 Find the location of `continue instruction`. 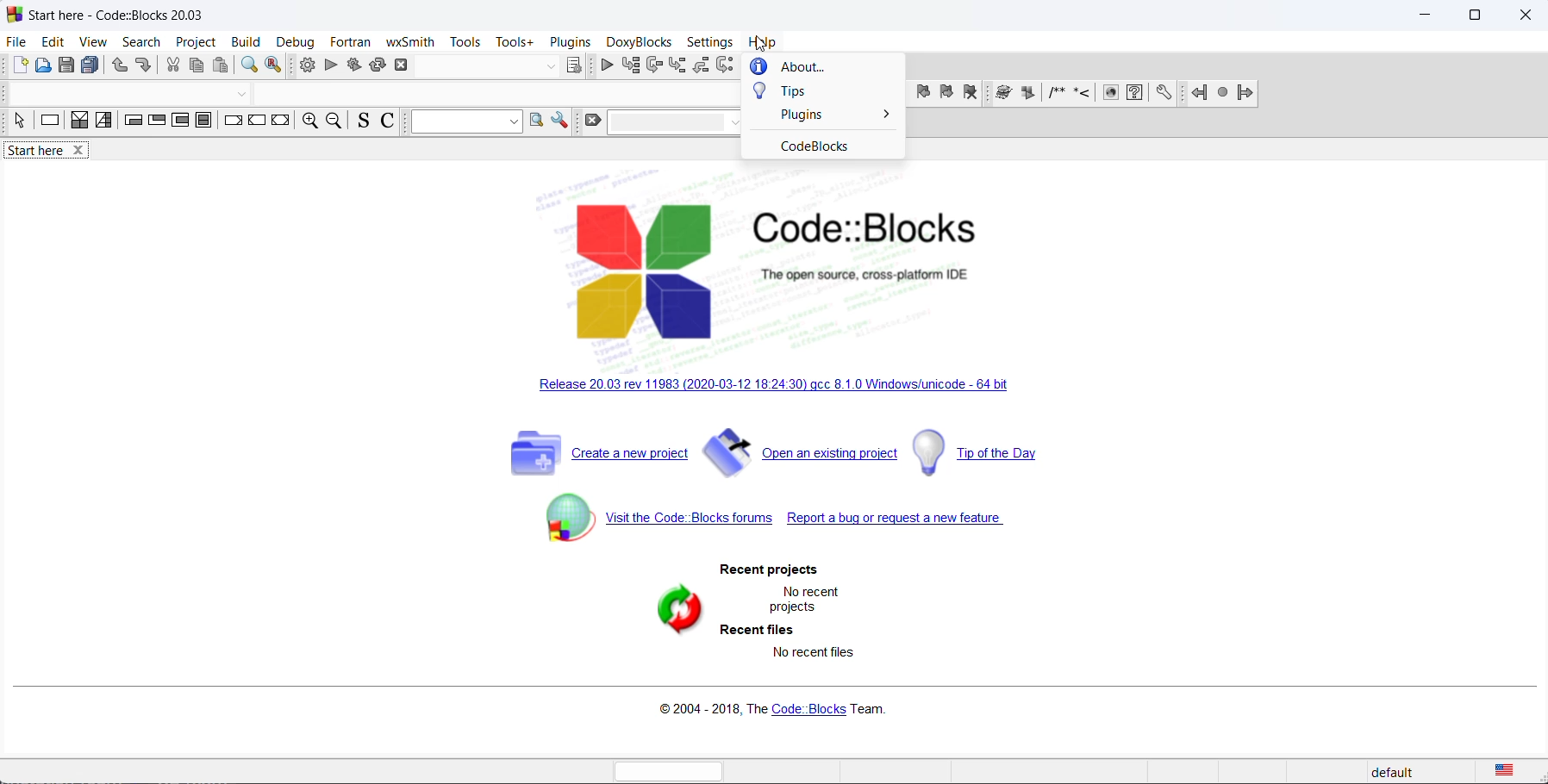

continue instruction is located at coordinates (257, 122).